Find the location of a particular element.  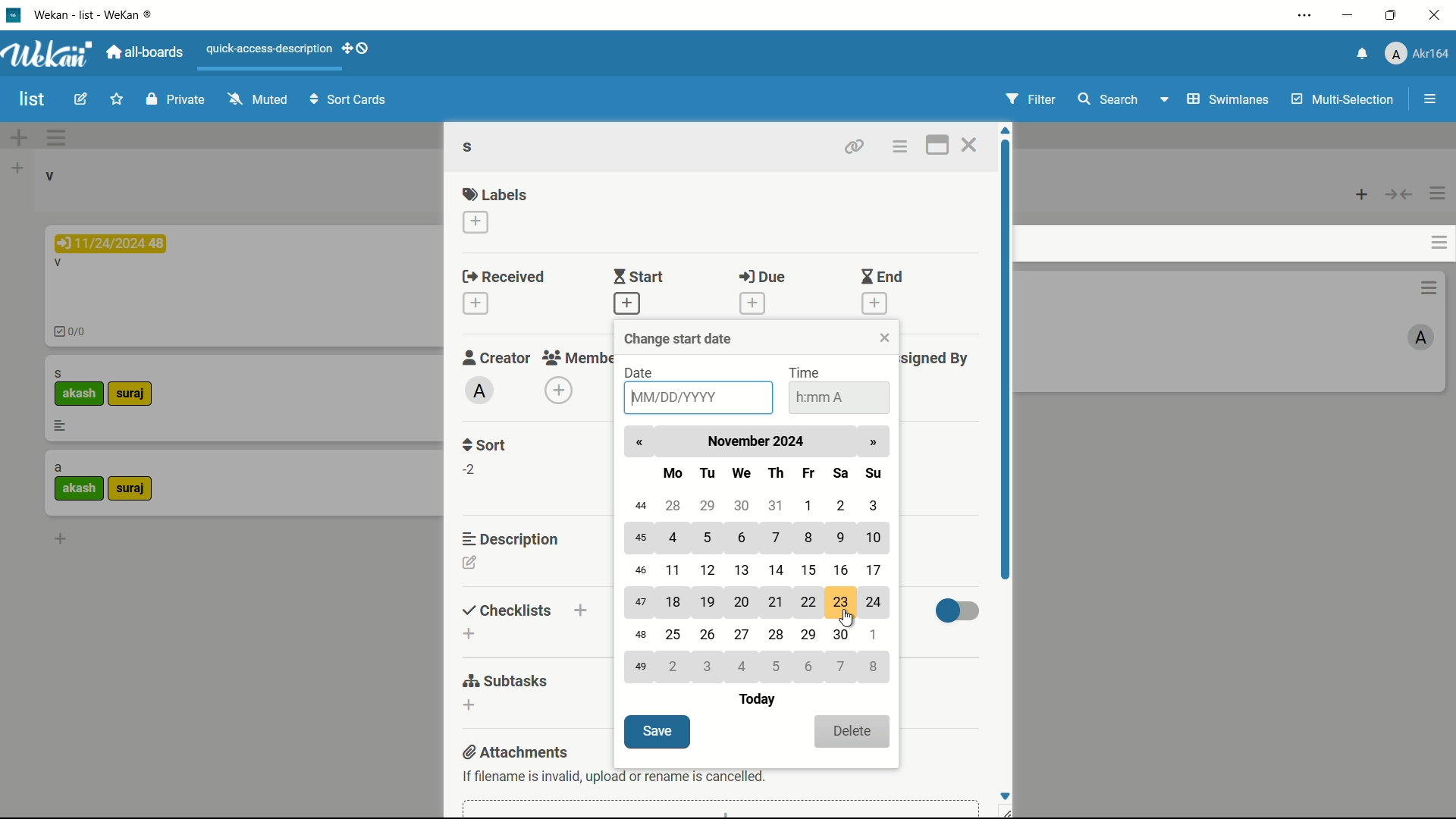

toggle button is located at coordinates (958, 613).